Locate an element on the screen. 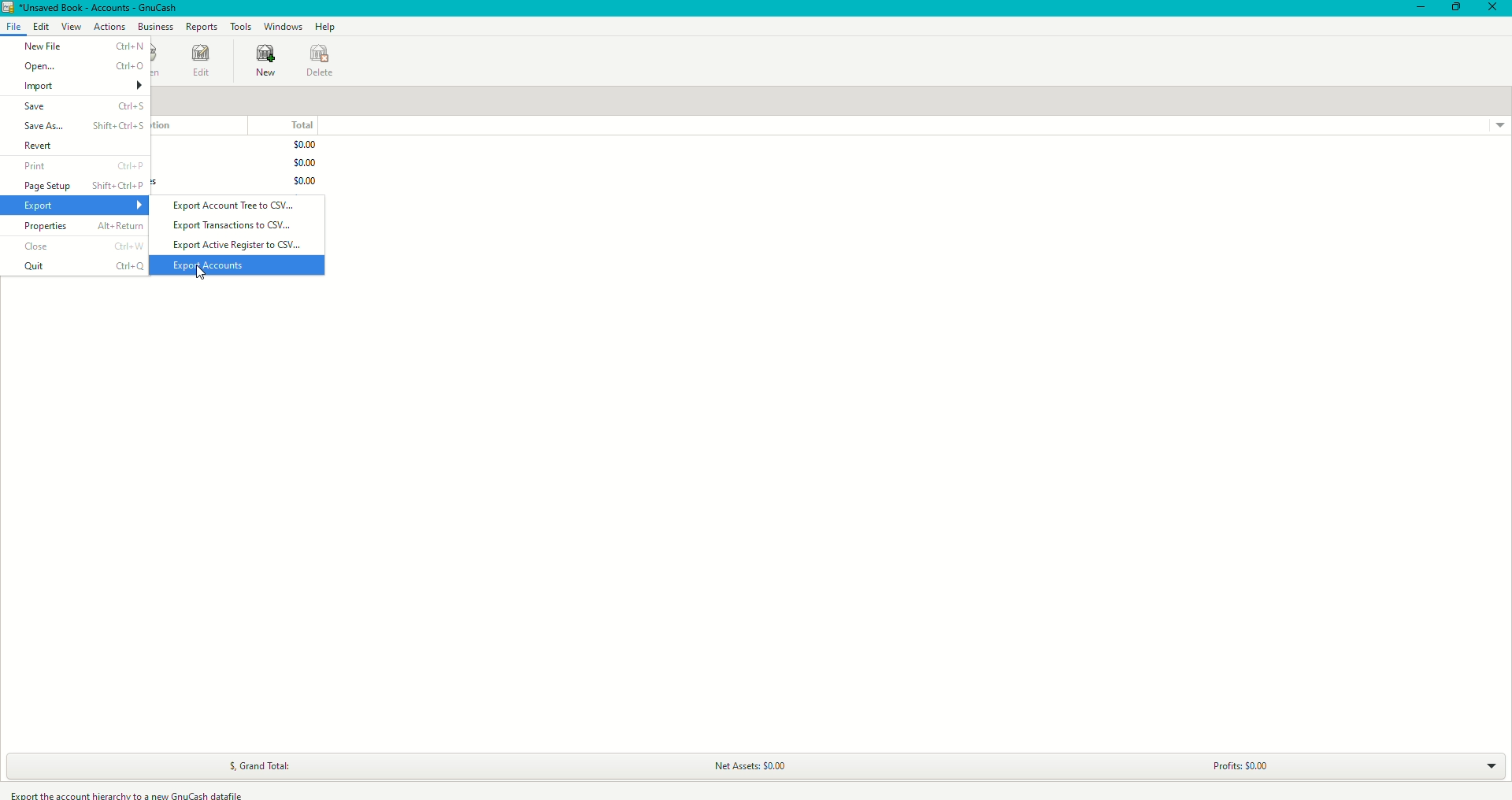 The width and height of the screenshot is (1512, 800). Delete is located at coordinates (324, 62).